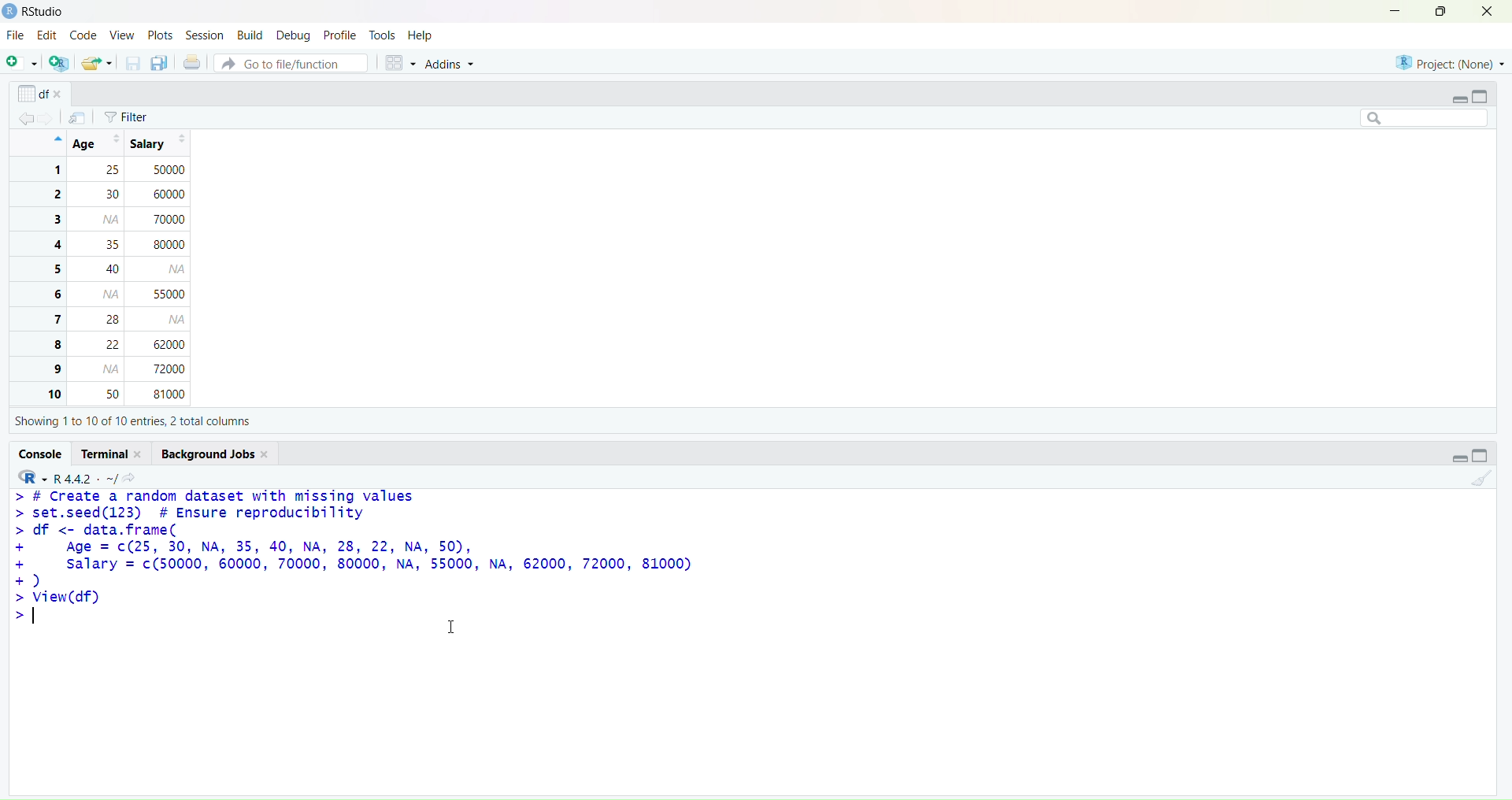 The height and width of the screenshot is (800, 1512). I want to click on edit, so click(48, 35).